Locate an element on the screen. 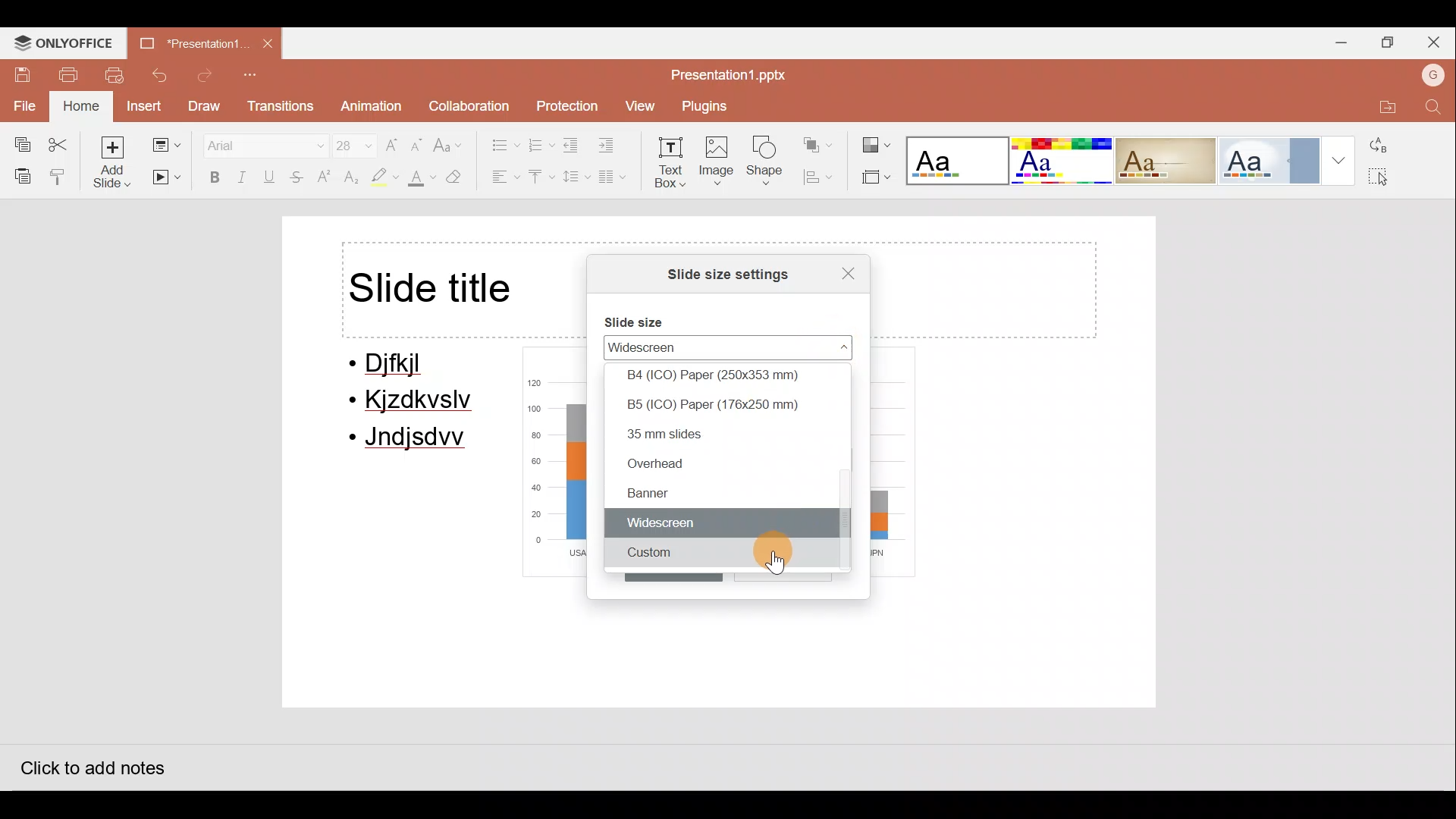 Image resolution: width=1456 pixels, height=819 pixels. ONLYOFFICE is located at coordinates (65, 42).